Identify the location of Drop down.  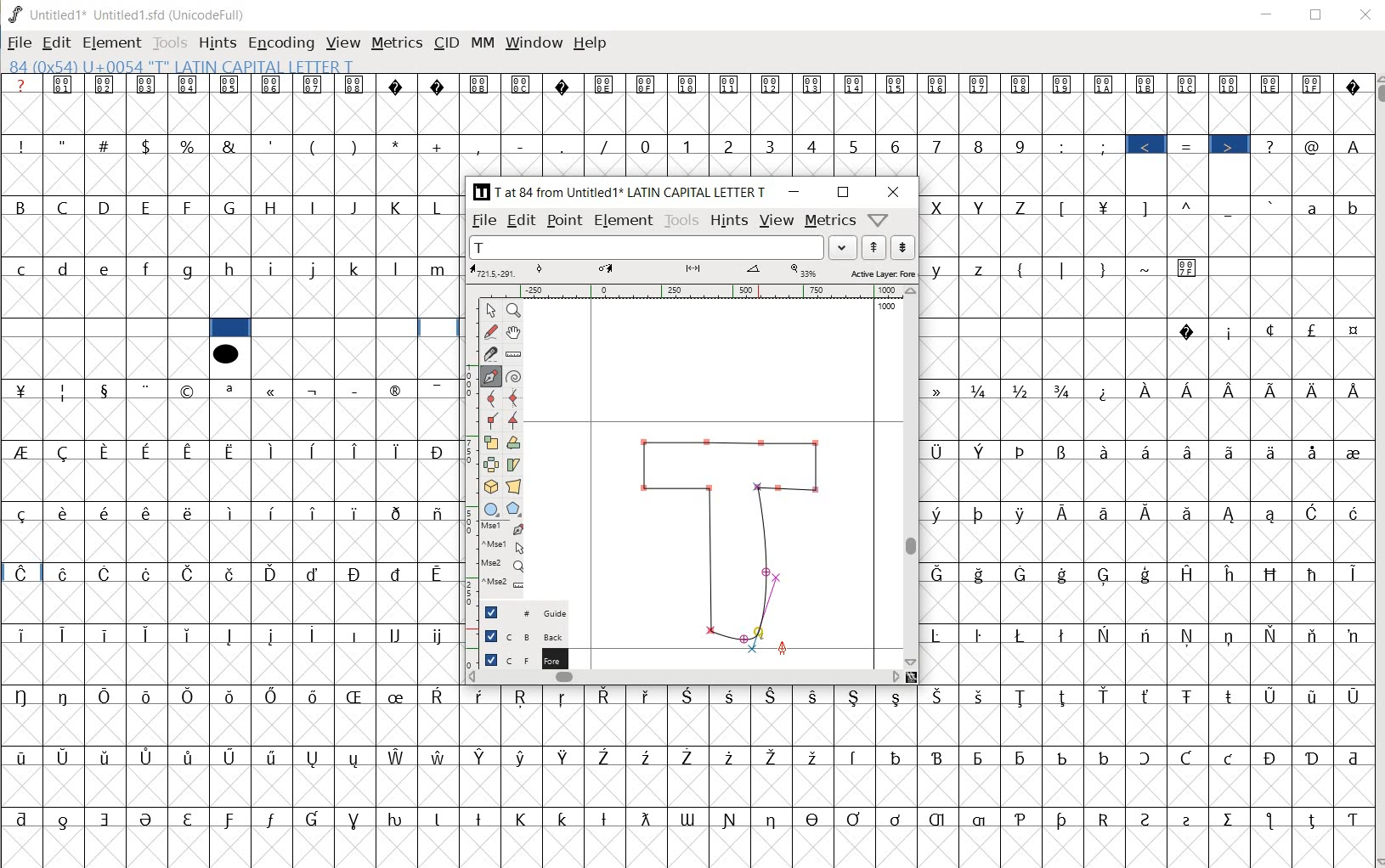
(843, 247).